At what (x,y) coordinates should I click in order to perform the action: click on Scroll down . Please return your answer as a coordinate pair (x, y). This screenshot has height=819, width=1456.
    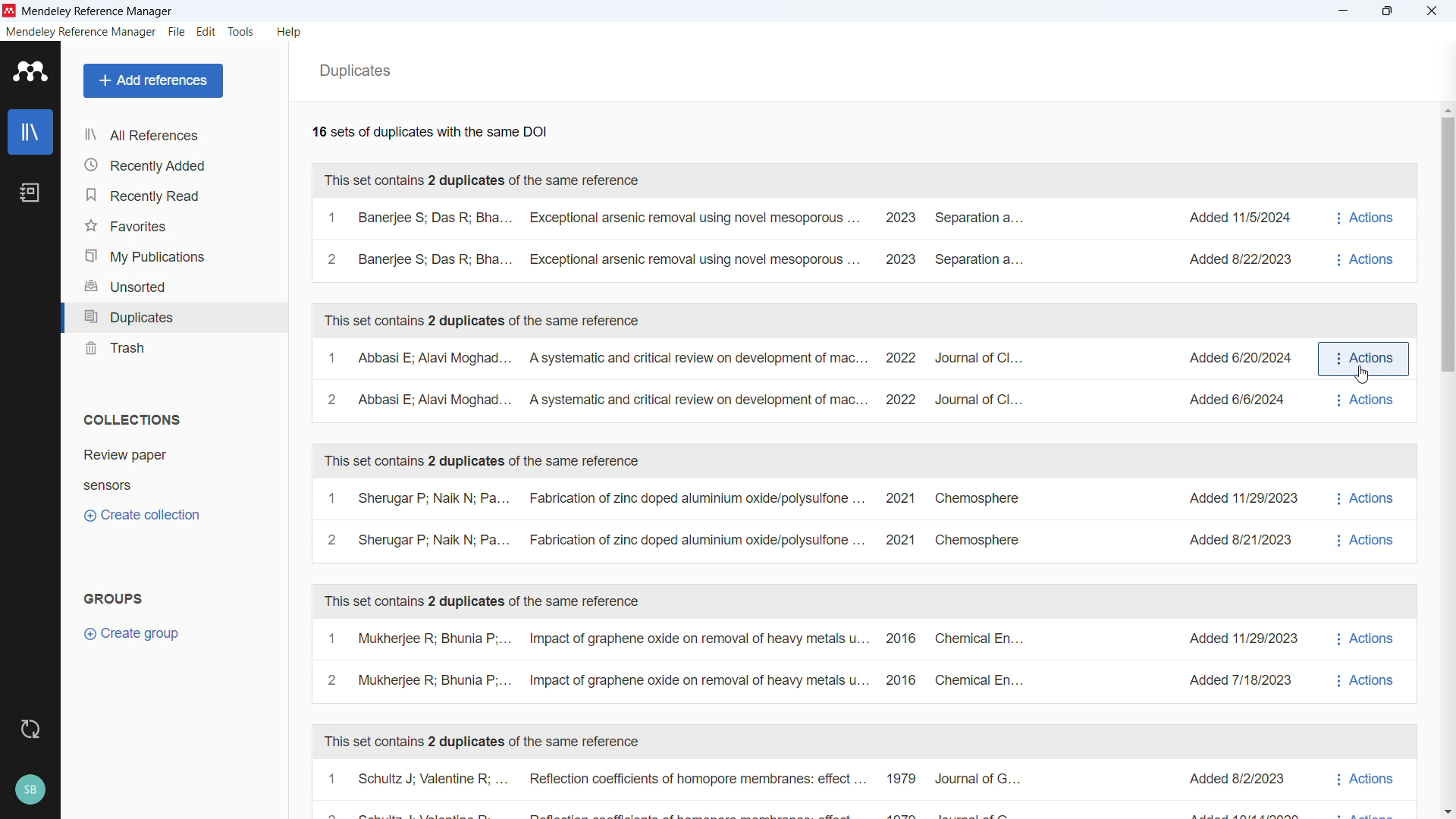
    Looking at the image, I should click on (1447, 810).